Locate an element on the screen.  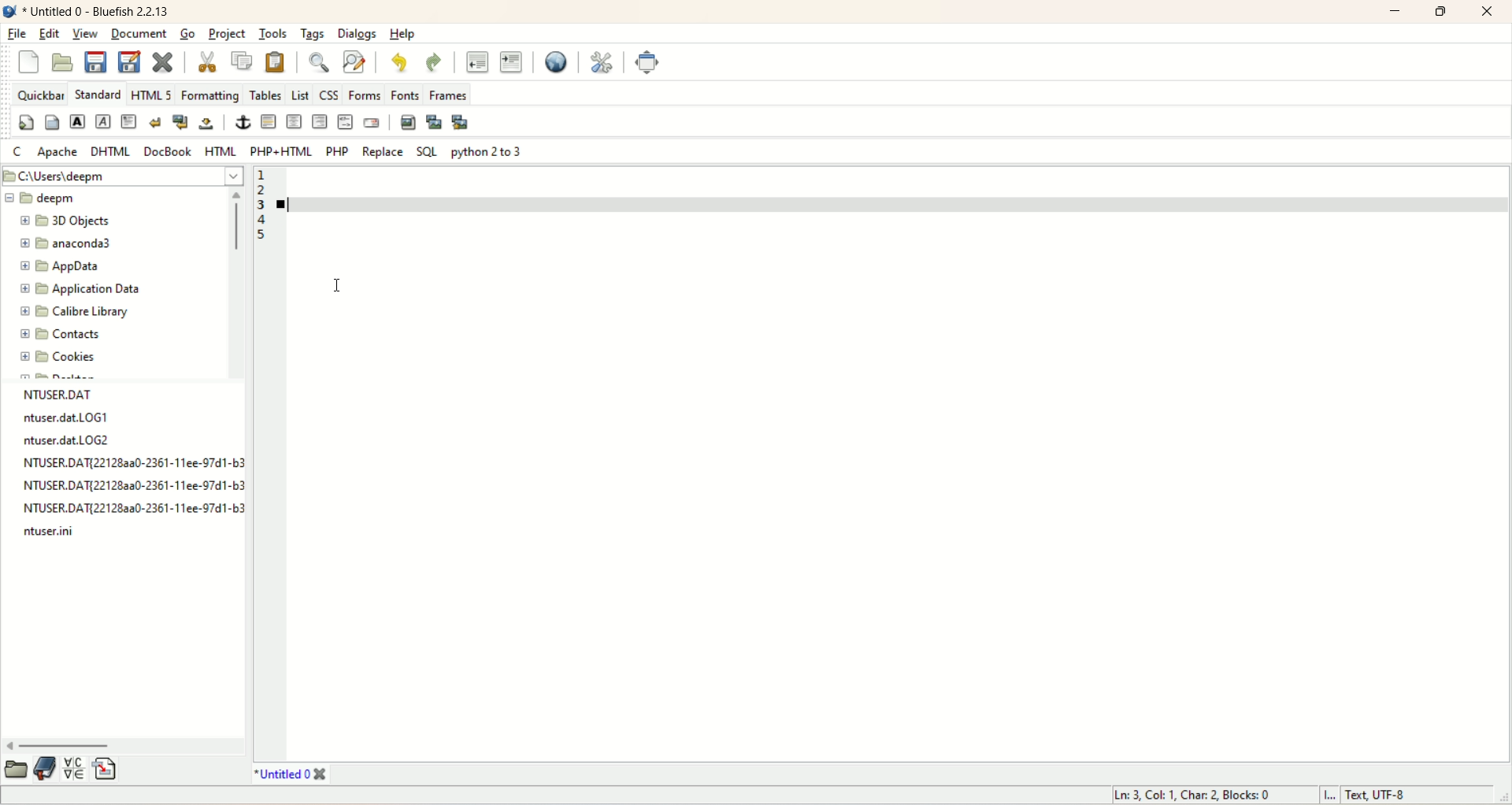
insert file is located at coordinates (112, 769).